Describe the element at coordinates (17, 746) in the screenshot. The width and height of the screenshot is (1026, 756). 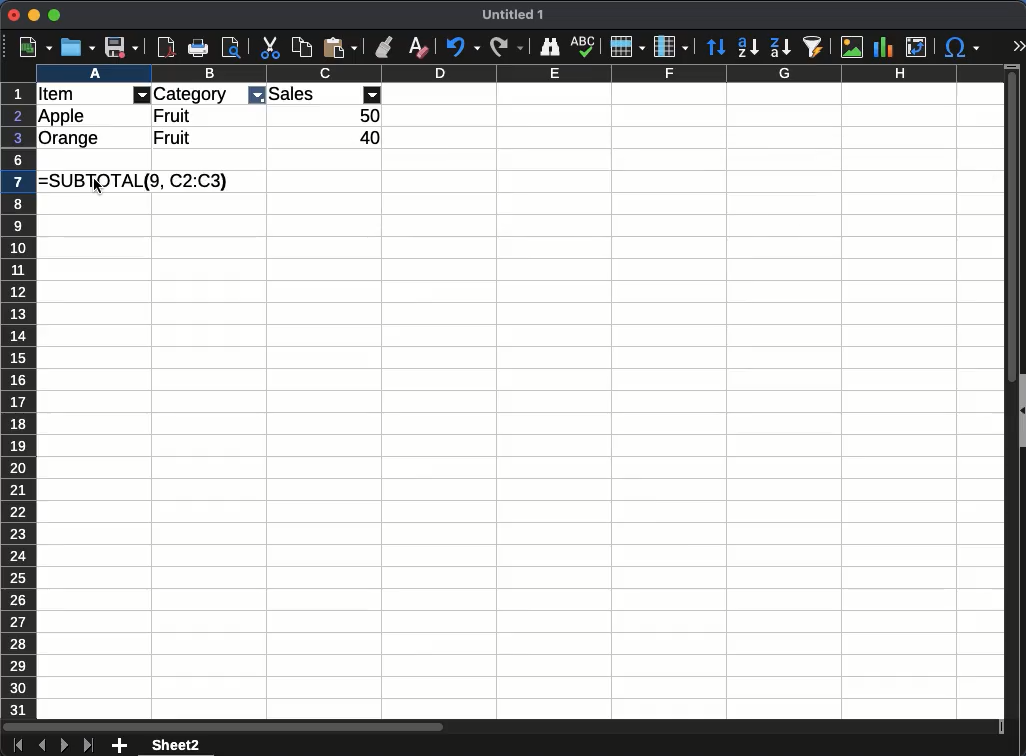
I see `first sheet` at that location.